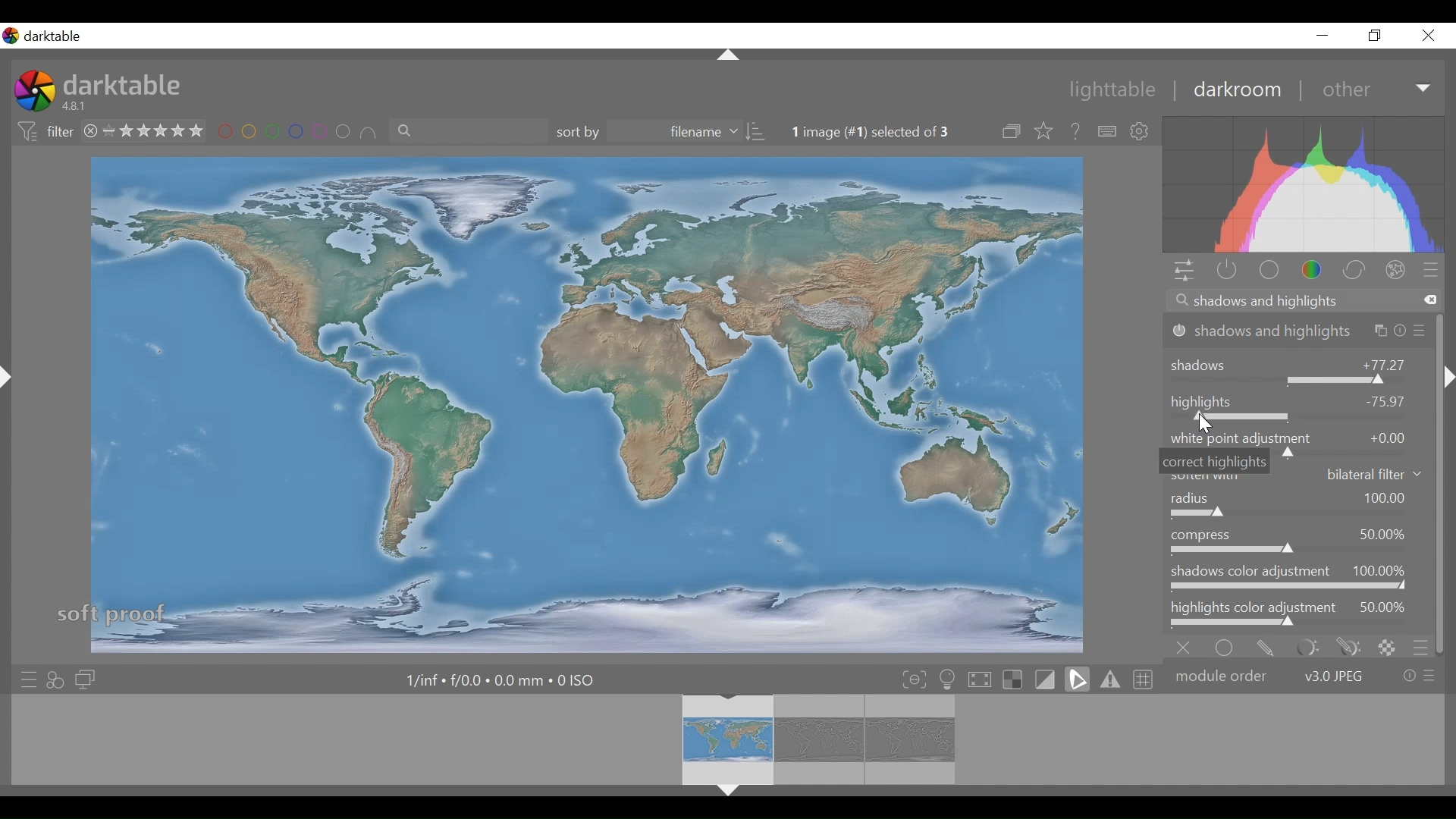 The image size is (1456, 819). What do you see at coordinates (1298, 406) in the screenshot?
I see `highlights` at bounding box center [1298, 406].